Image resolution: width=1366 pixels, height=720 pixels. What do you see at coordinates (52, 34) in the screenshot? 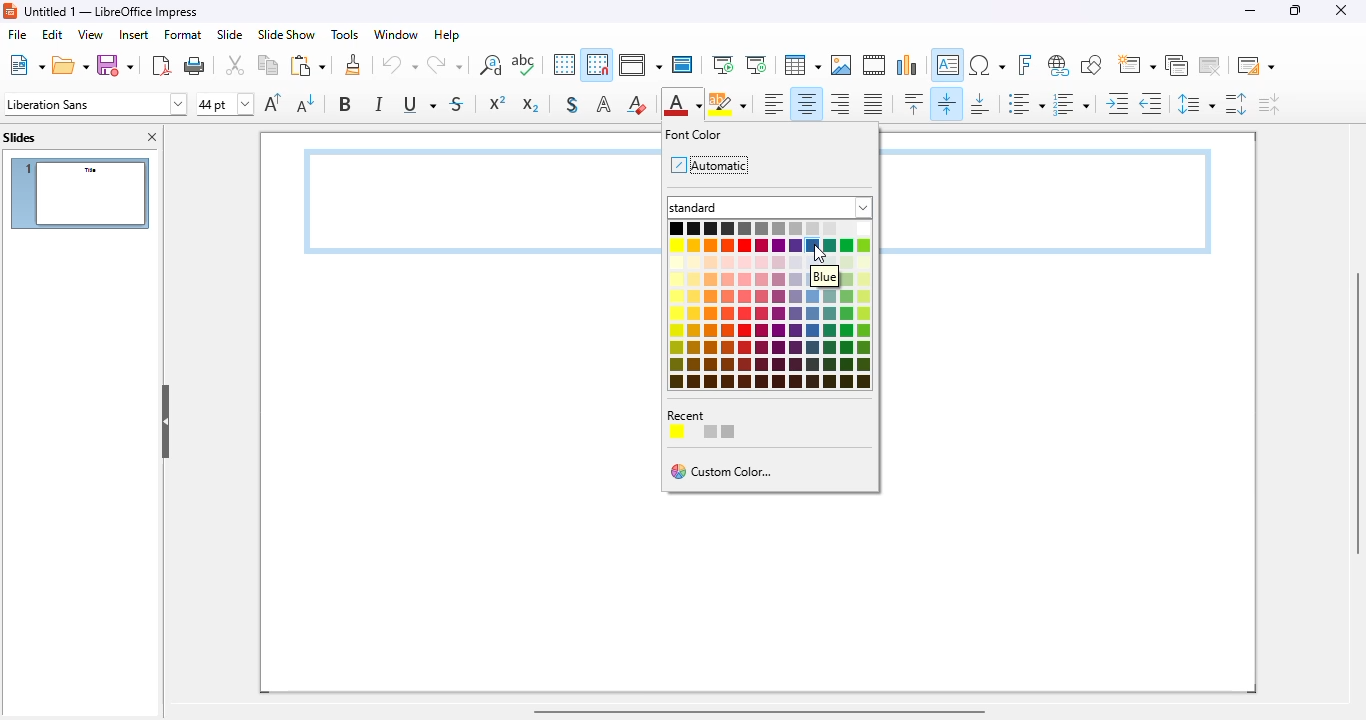
I see `edit` at bounding box center [52, 34].